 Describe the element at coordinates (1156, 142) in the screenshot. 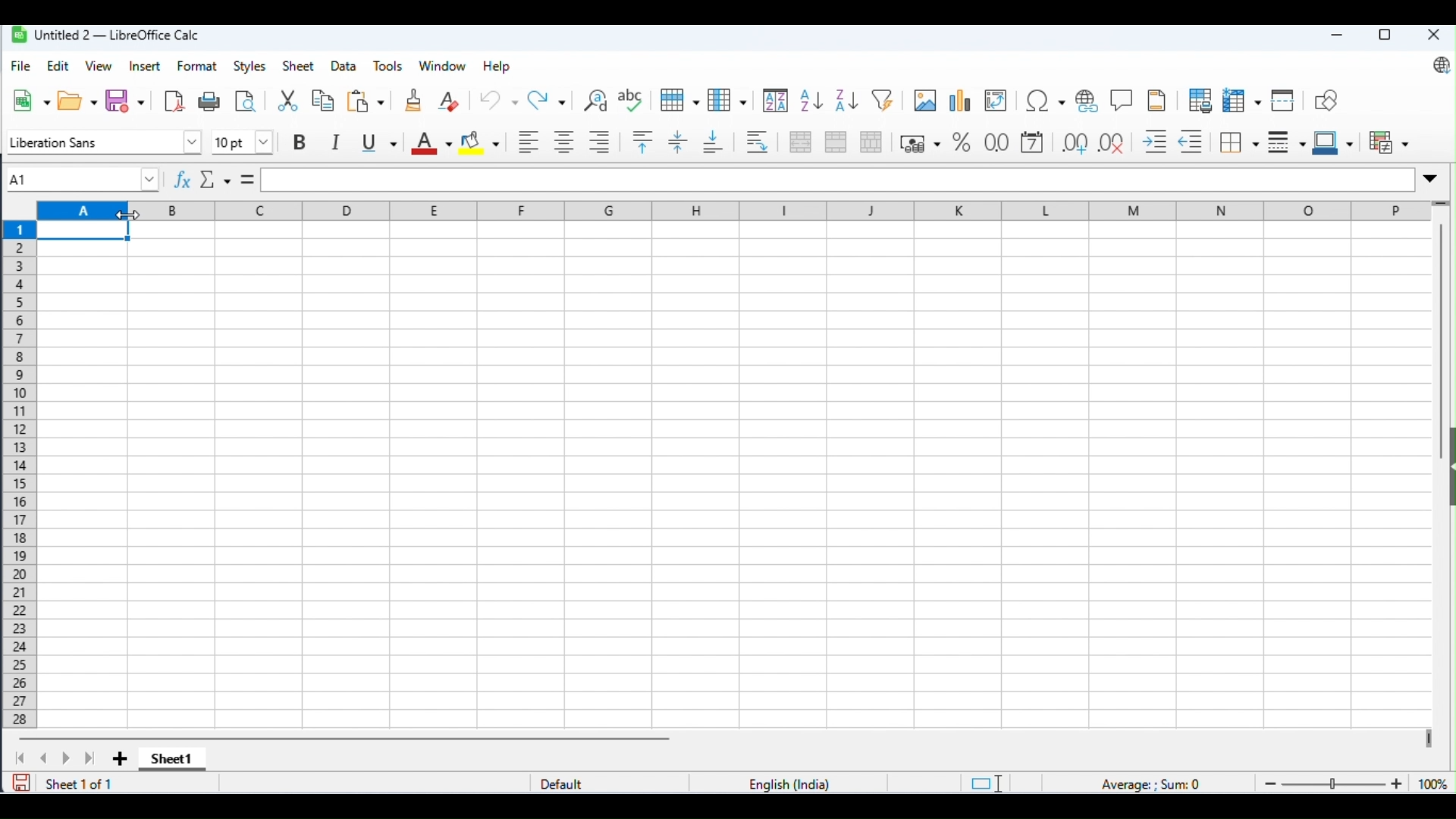

I see `increase indent` at that location.